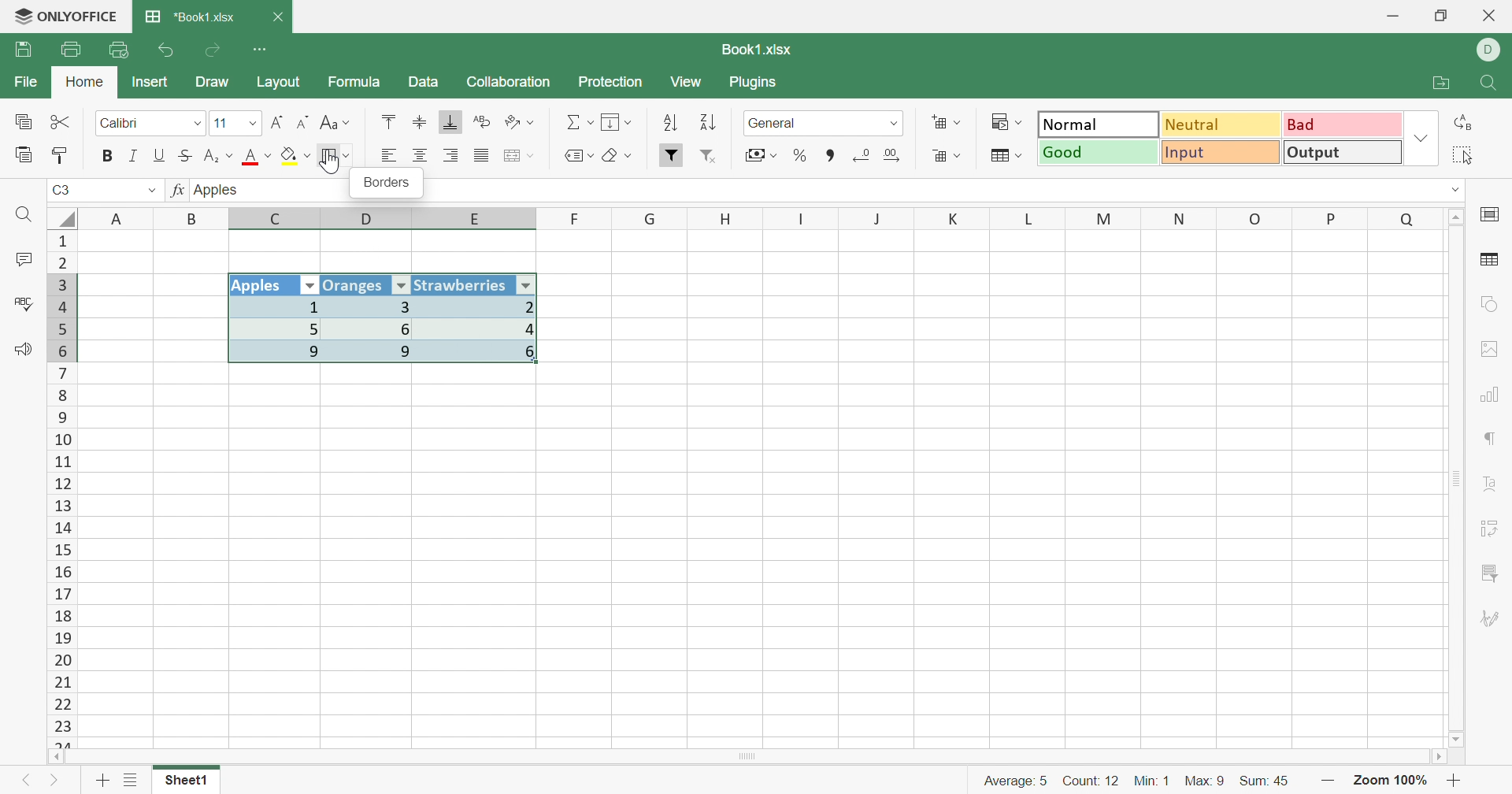 This screenshot has width=1512, height=794. Describe the element at coordinates (1492, 441) in the screenshot. I see `Paragraph settings` at that location.